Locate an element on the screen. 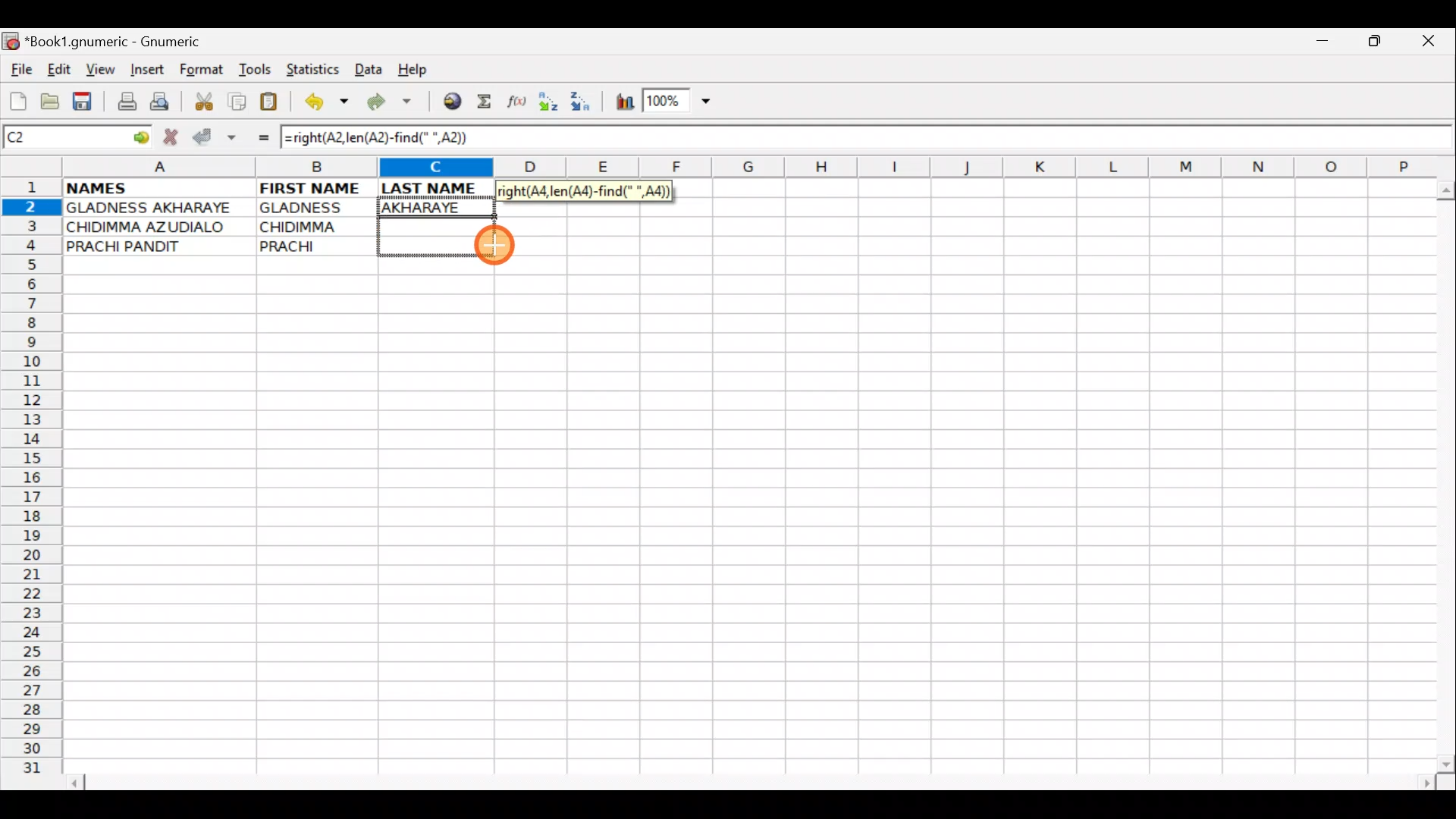  go to is located at coordinates (140, 135).